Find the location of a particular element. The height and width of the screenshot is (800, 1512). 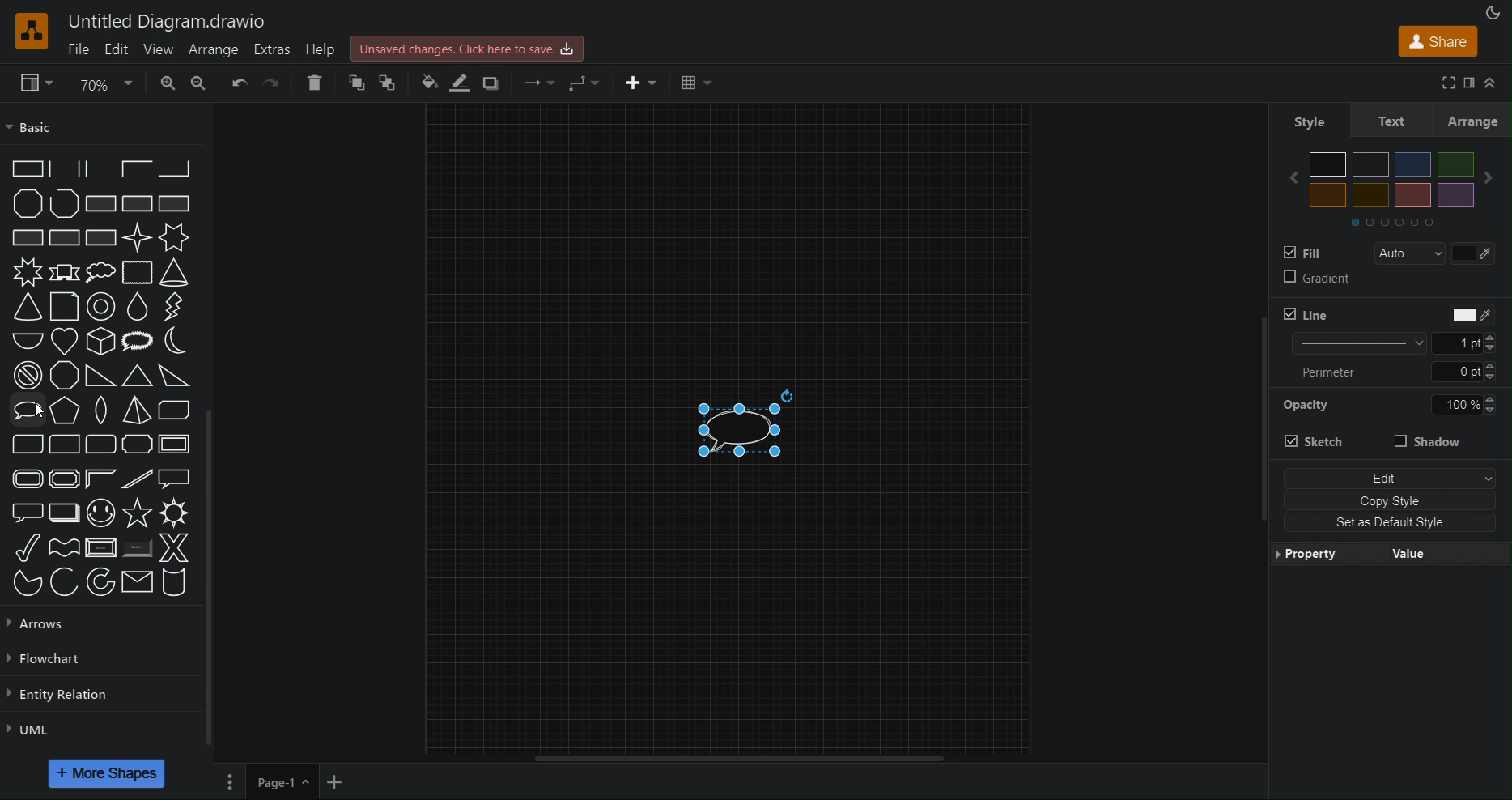

Line Size is located at coordinates (1392, 343).